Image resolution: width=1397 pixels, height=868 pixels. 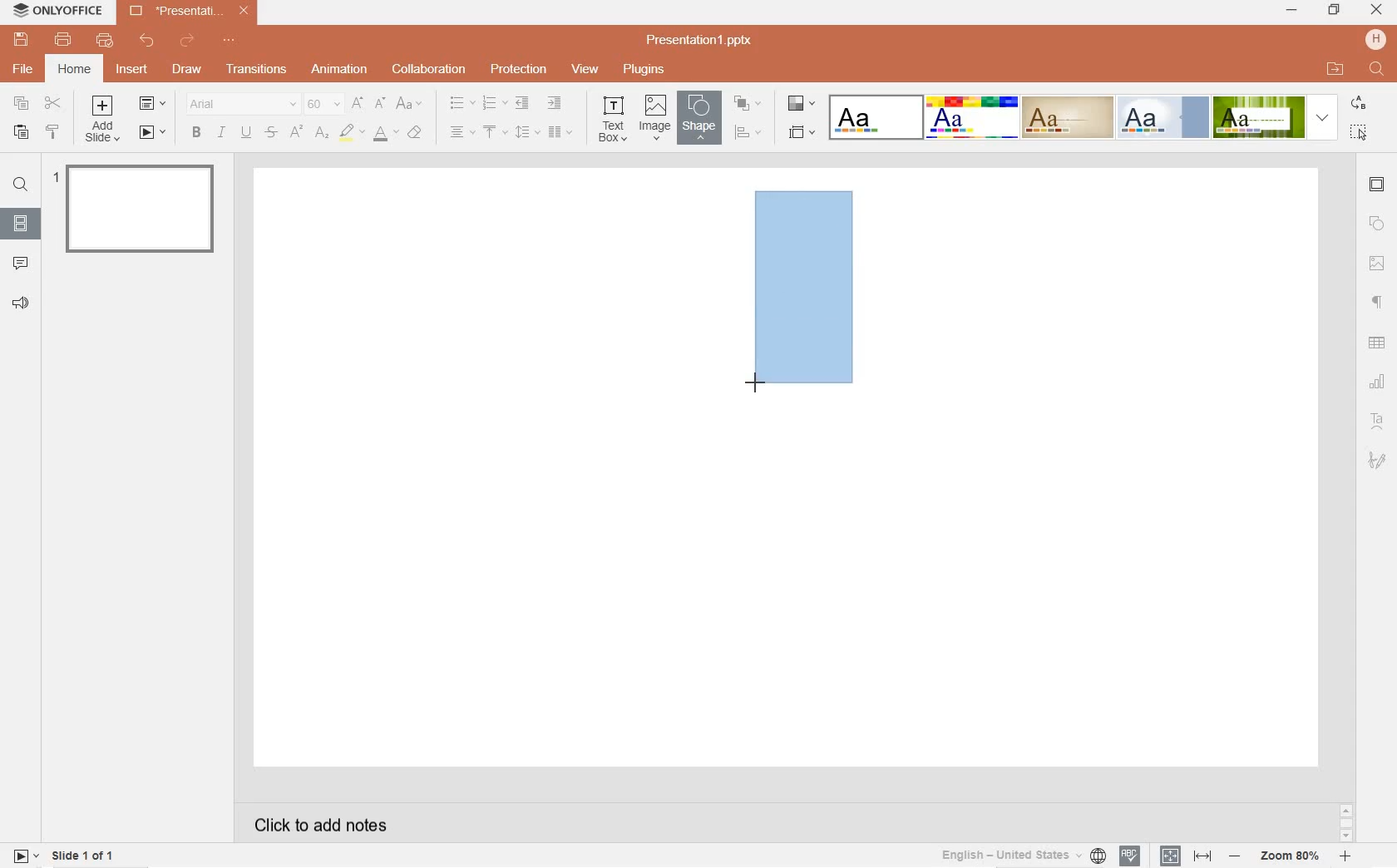 What do you see at coordinates (1183, 856) in the screenshot?
I see `set text or document language` at bounding box center [1183, 856].